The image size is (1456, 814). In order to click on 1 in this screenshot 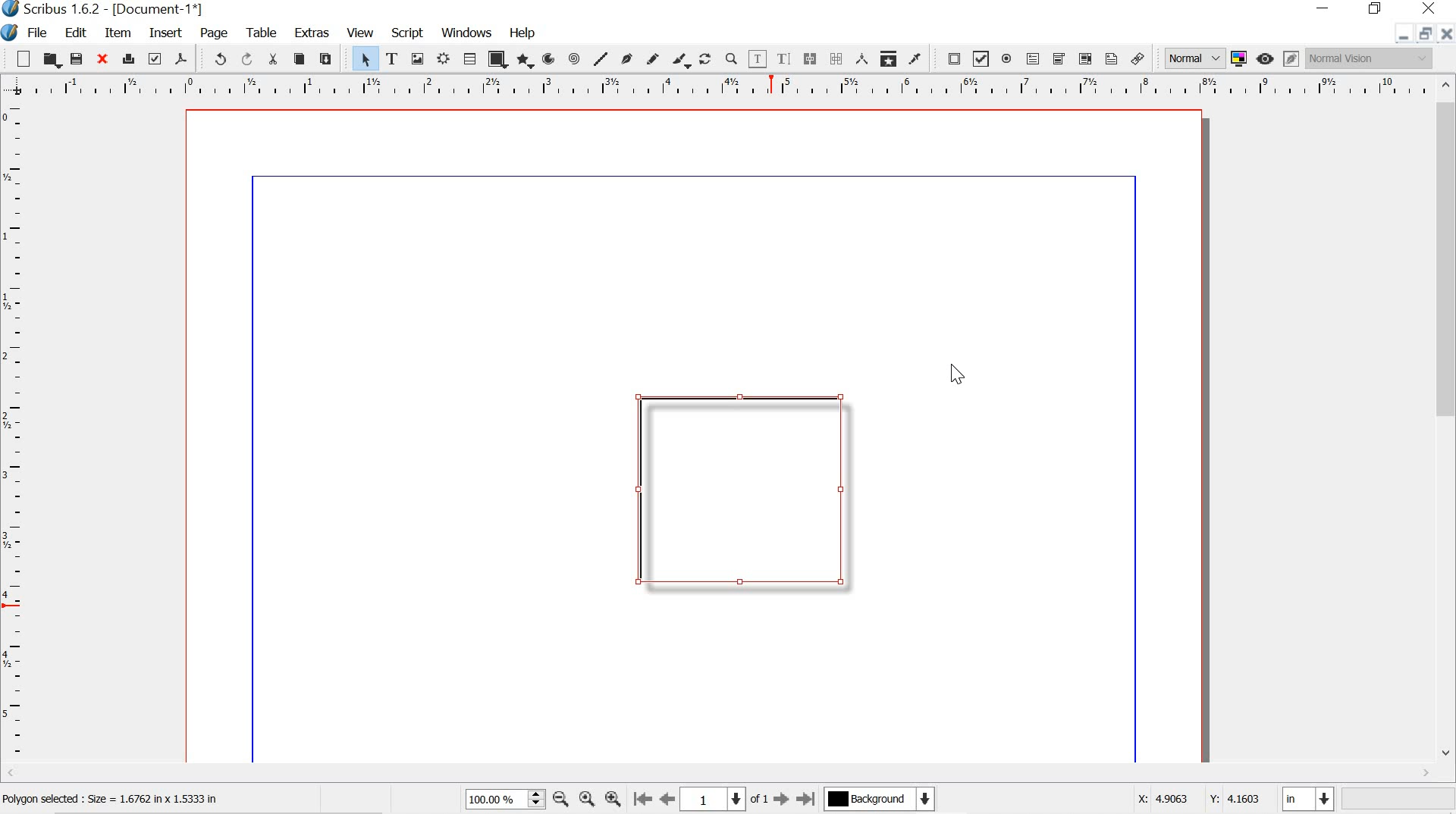, I will do `click(714, 798)`.